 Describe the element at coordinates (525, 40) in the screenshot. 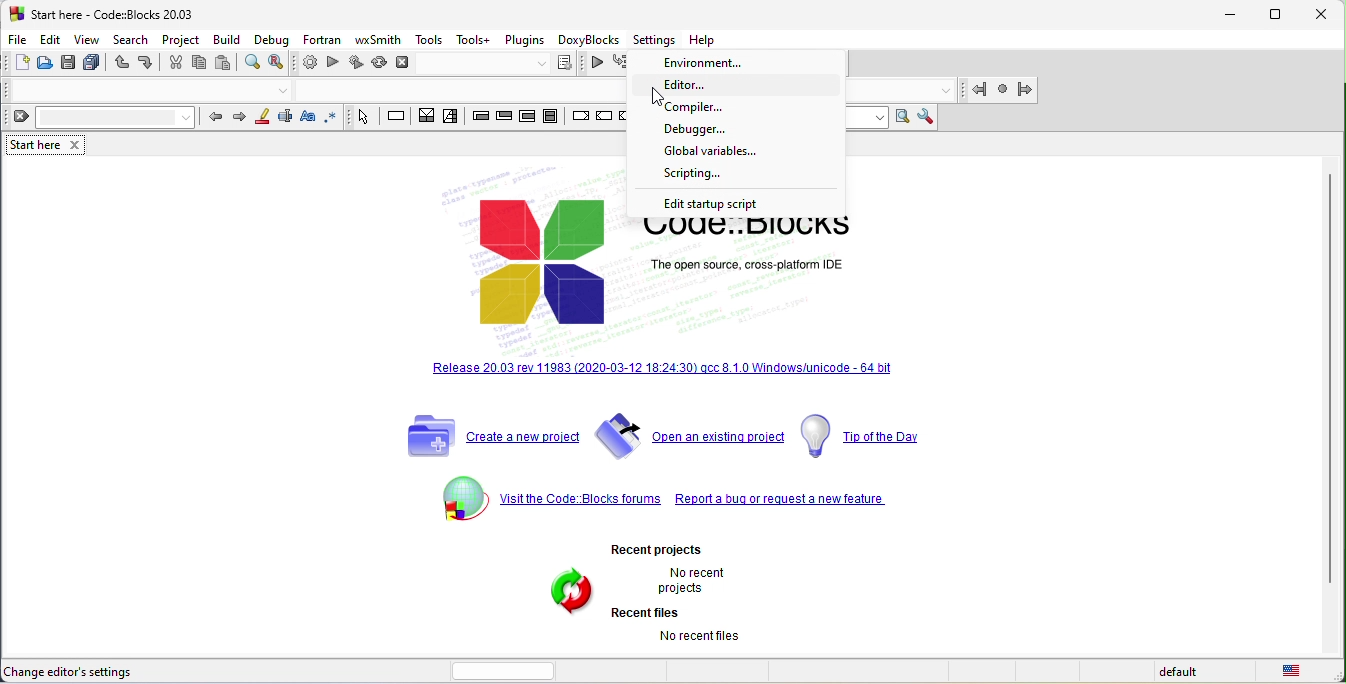

I see `plugins` at that location.